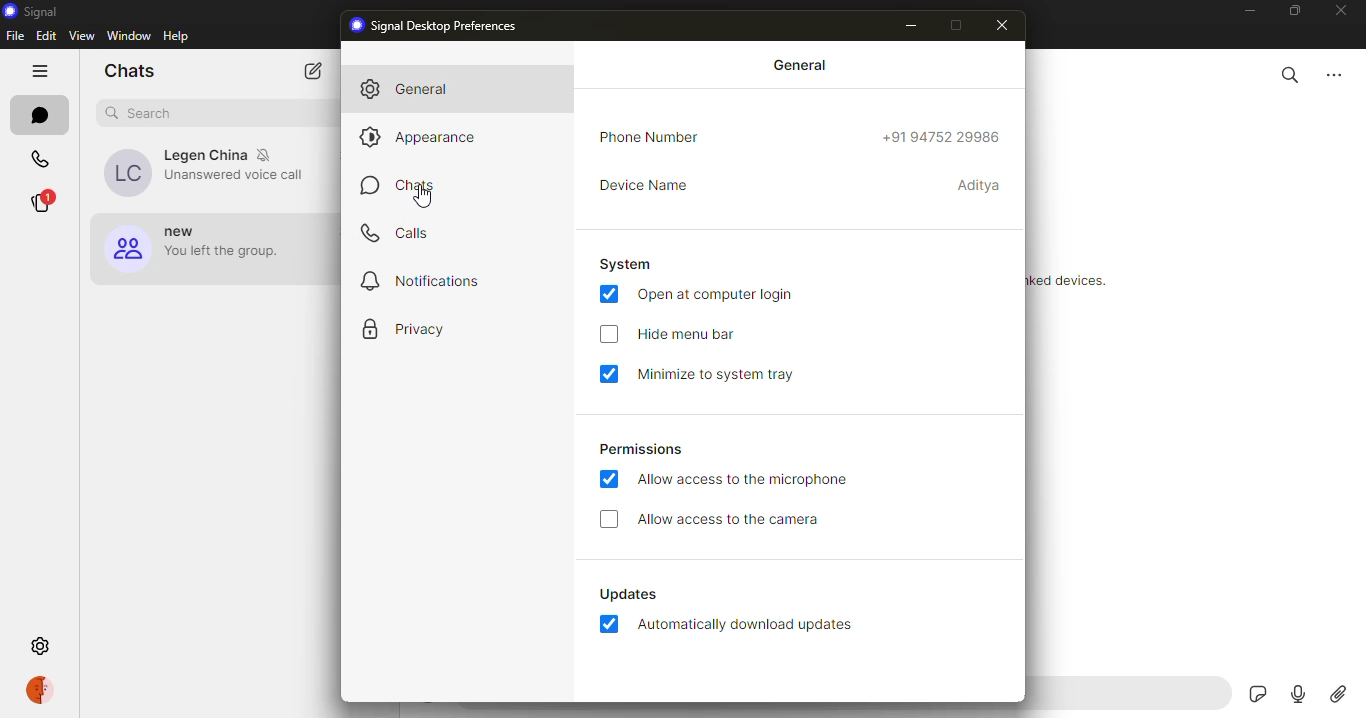 The height and width of the screenshot is (718, 1366). Describe the element at coordinates (84, 35) in the screenshot. I see `view` at that location.